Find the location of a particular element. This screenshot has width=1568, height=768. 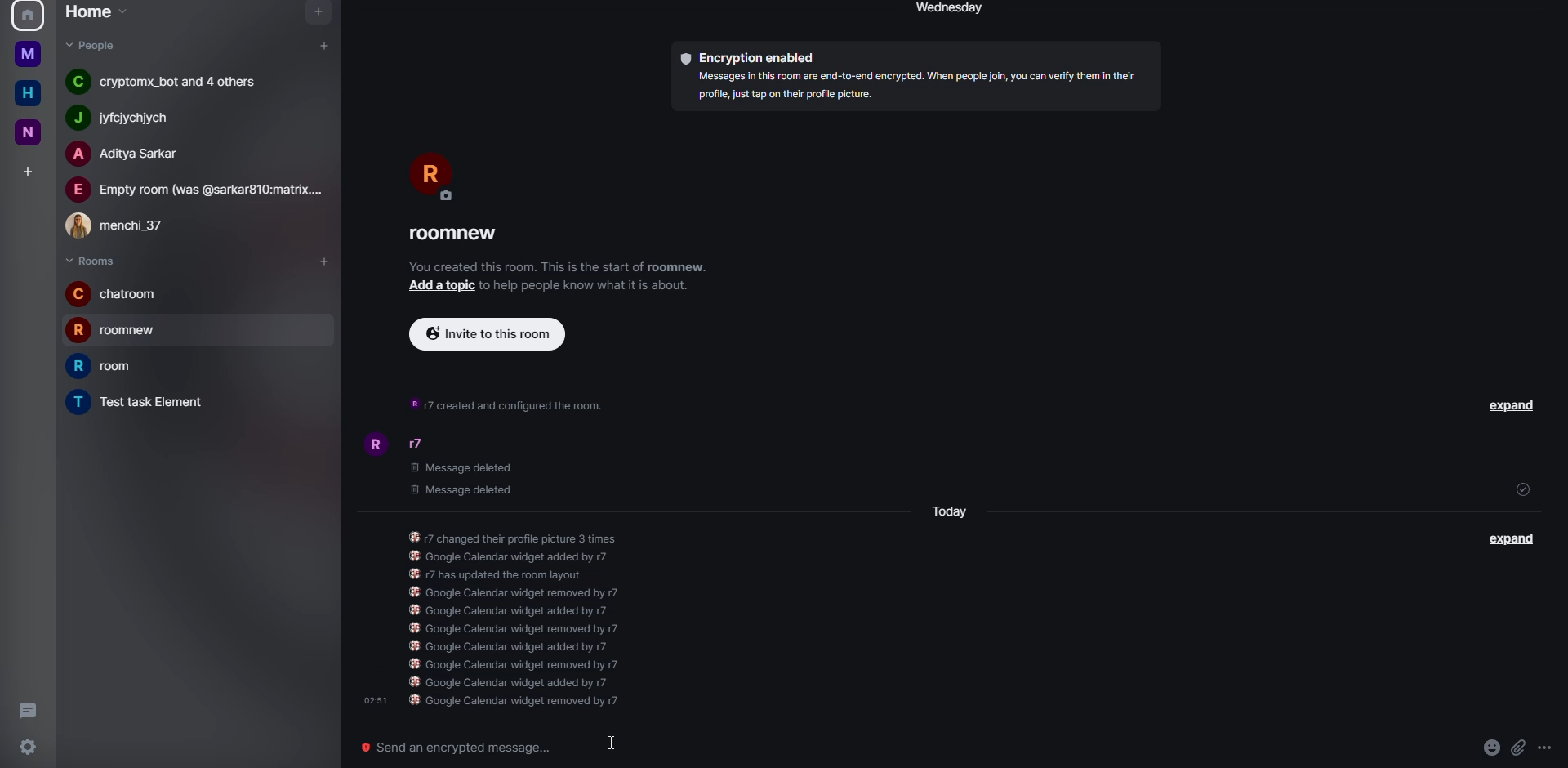

profile is located at coordinates (373, 444).